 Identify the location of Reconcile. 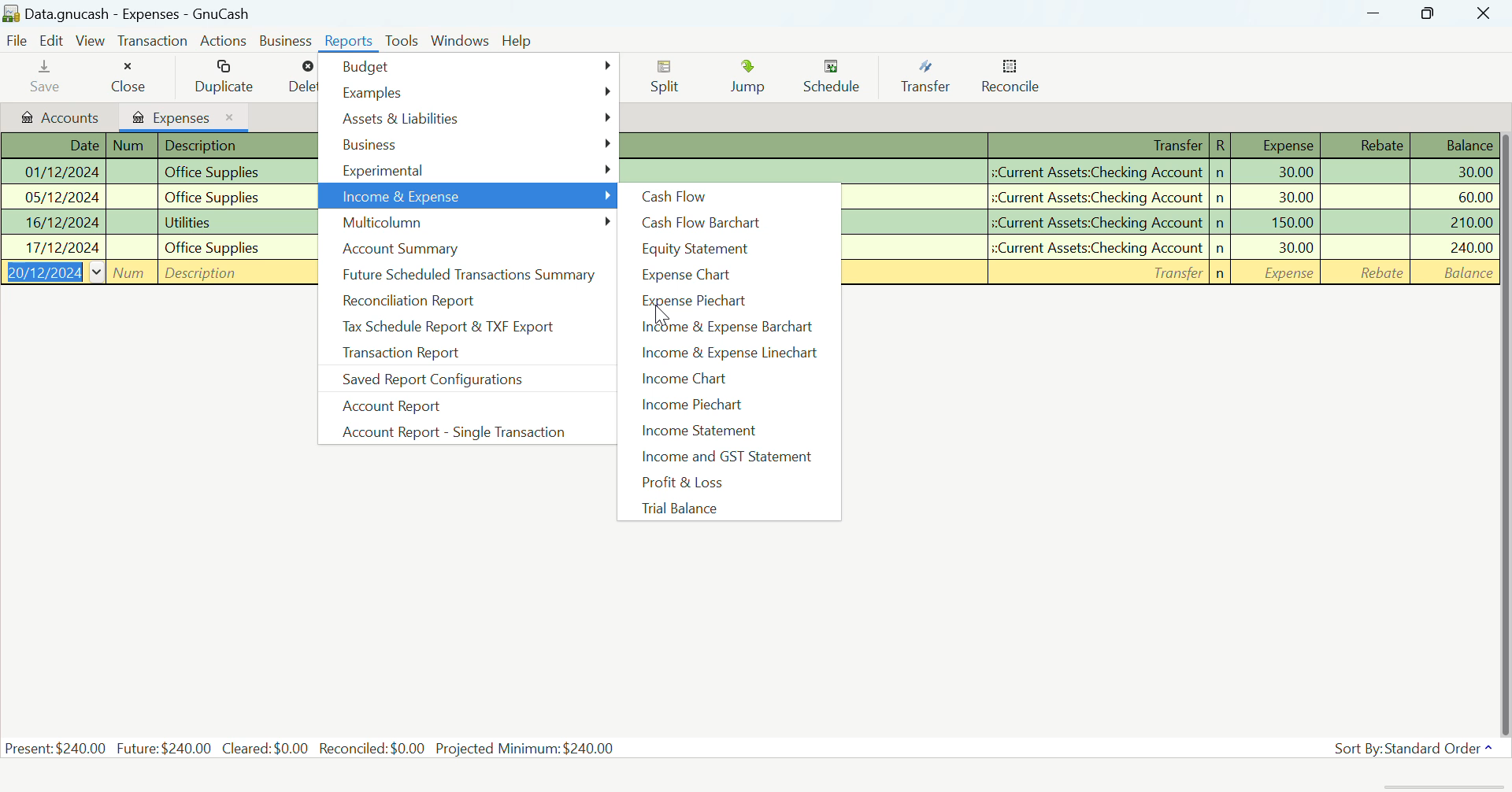
(1013, 80).